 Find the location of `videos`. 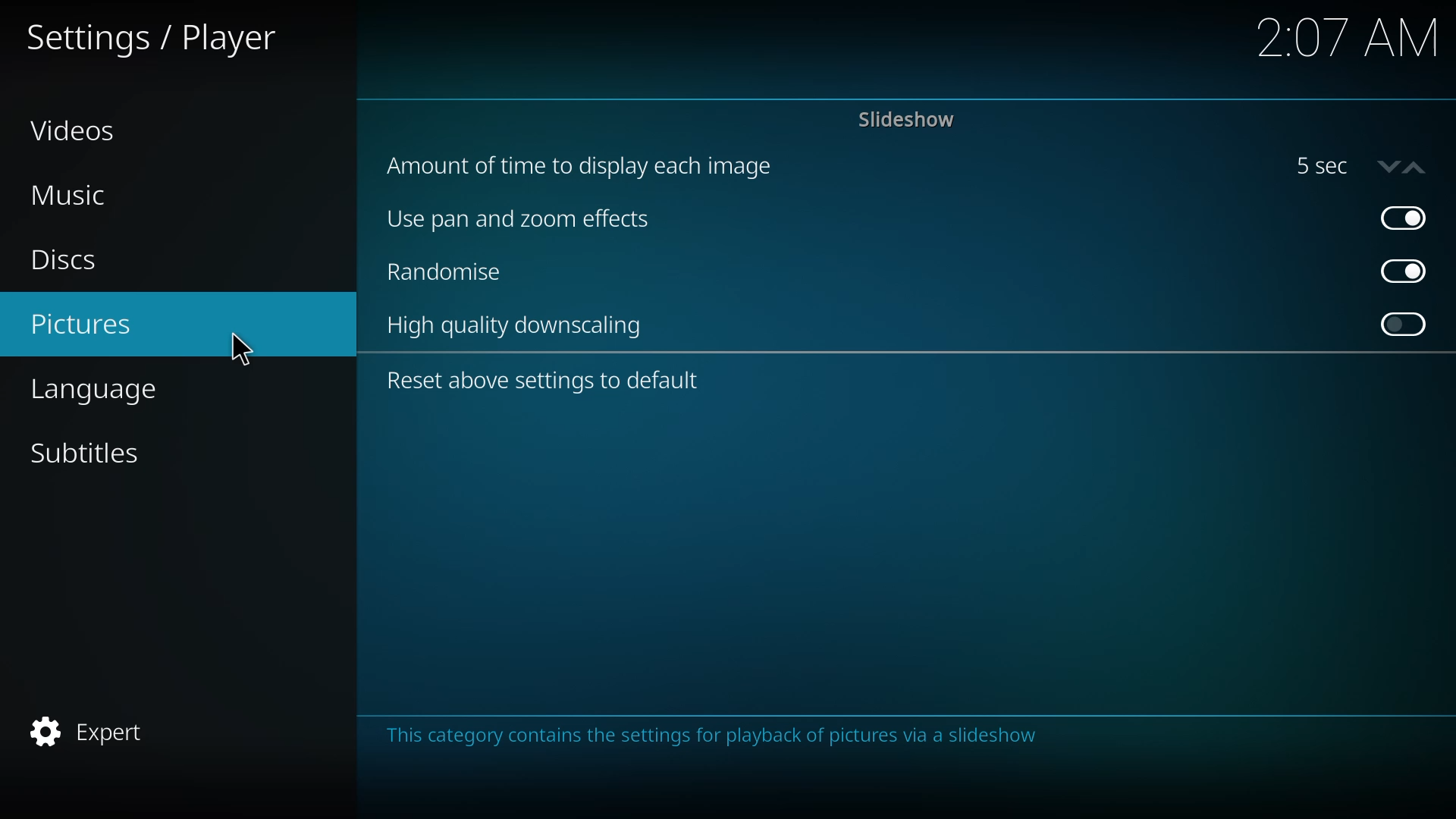

videos is located at coordinates (76, 130).